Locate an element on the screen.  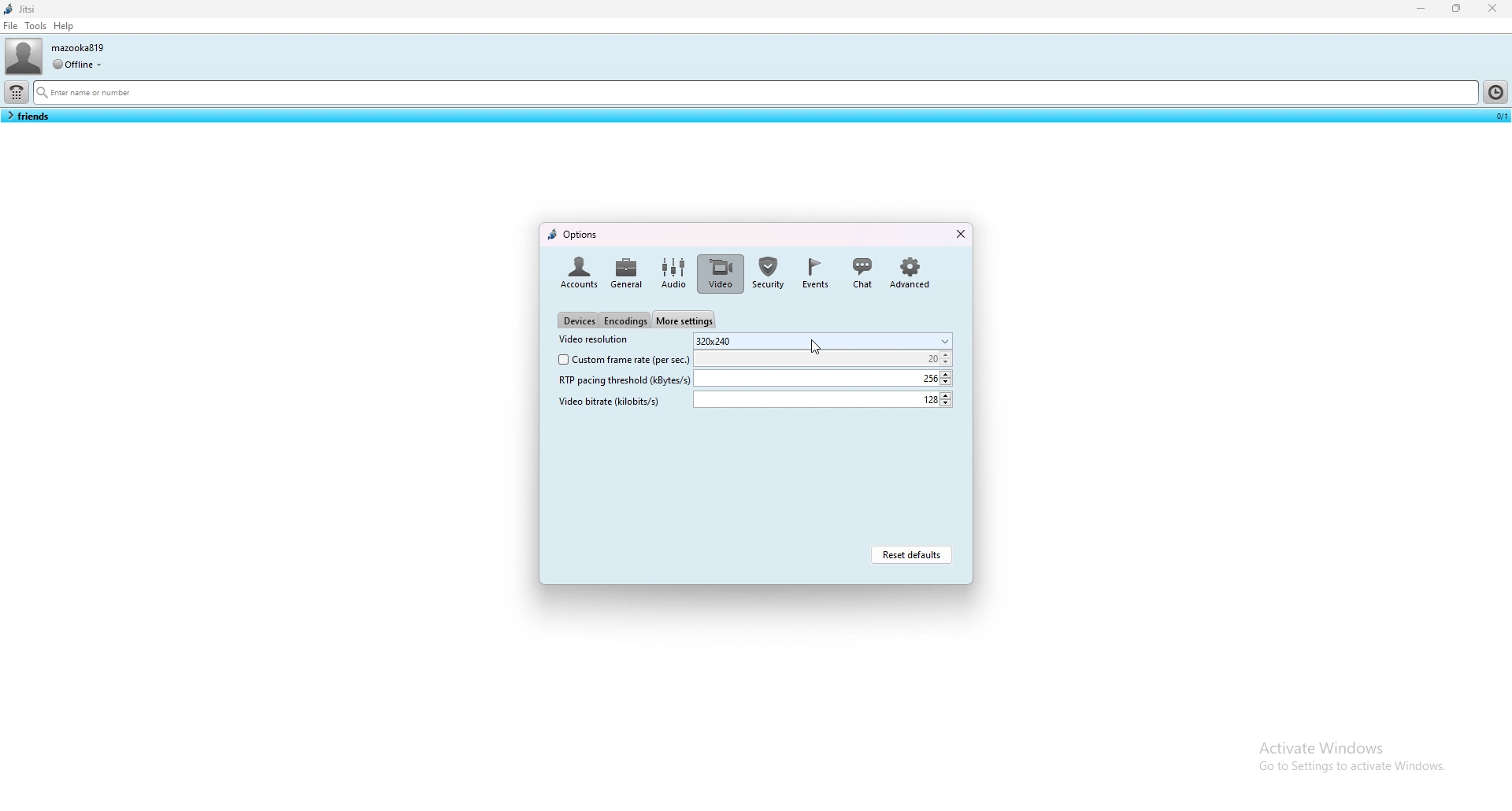
cursor is located at coordinates (816, 350).